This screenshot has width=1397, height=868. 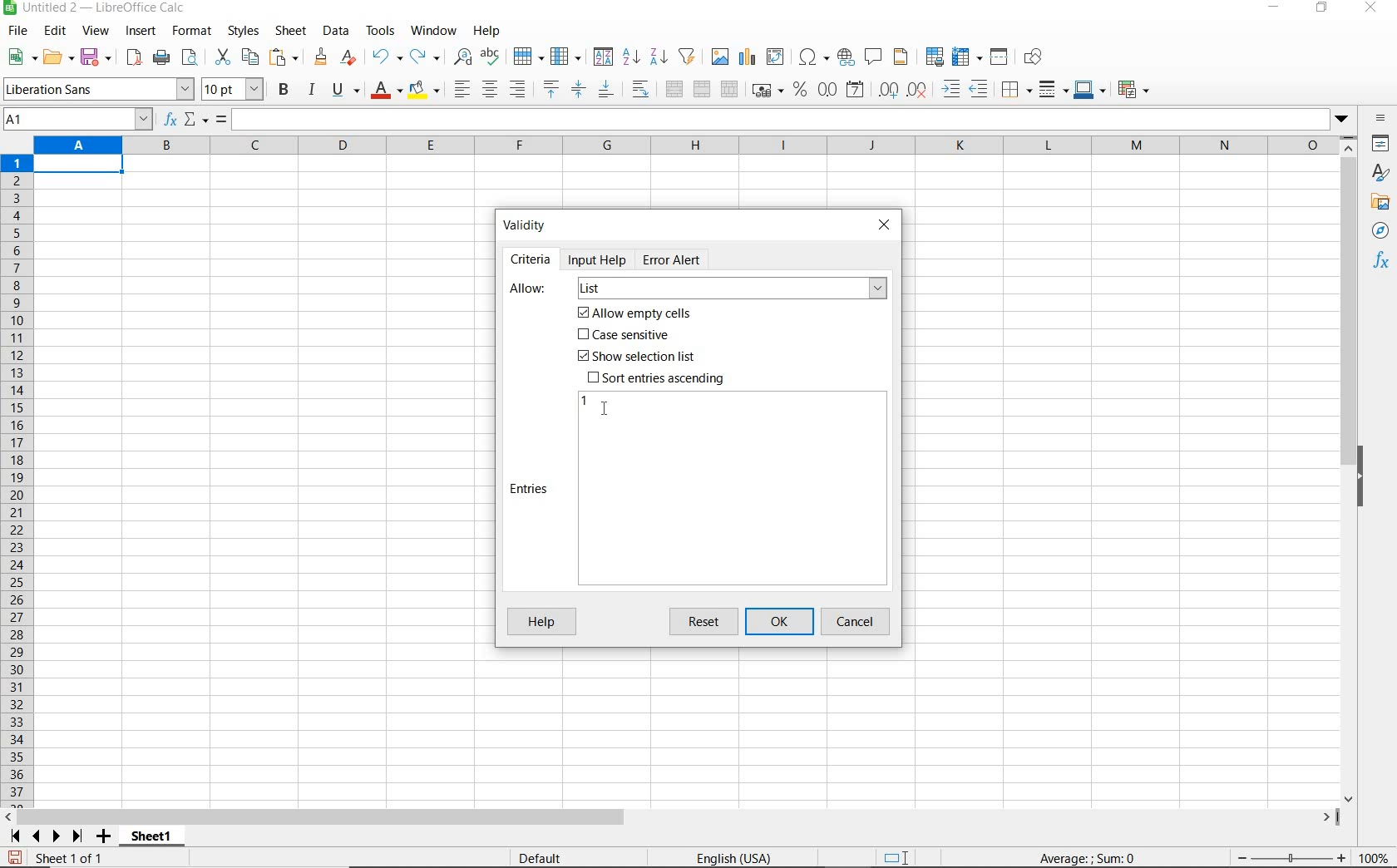 I want to click on close, so click(x=1370, y=8).